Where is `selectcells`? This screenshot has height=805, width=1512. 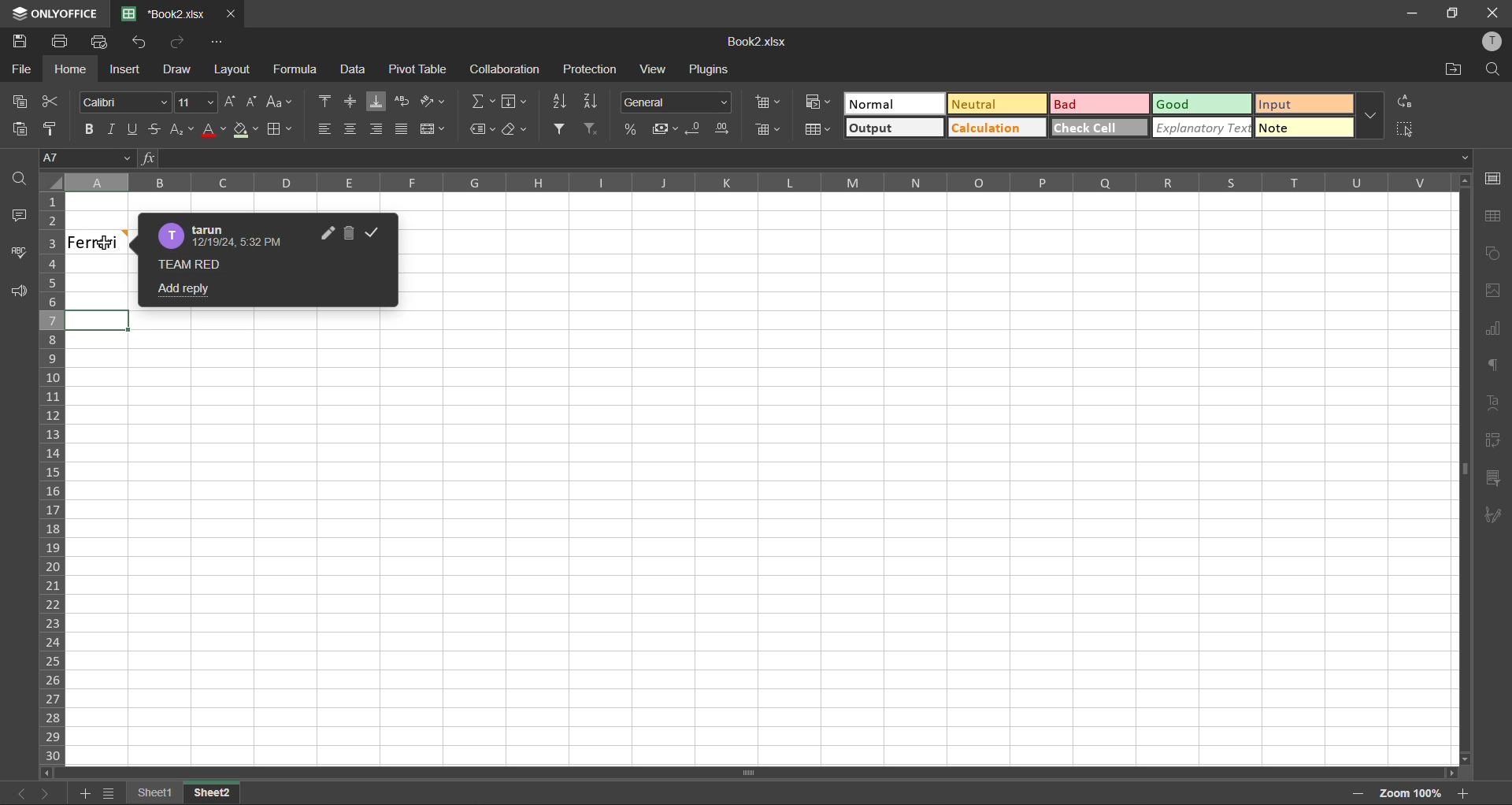 selectcells is located at coordinates (1404, 129).